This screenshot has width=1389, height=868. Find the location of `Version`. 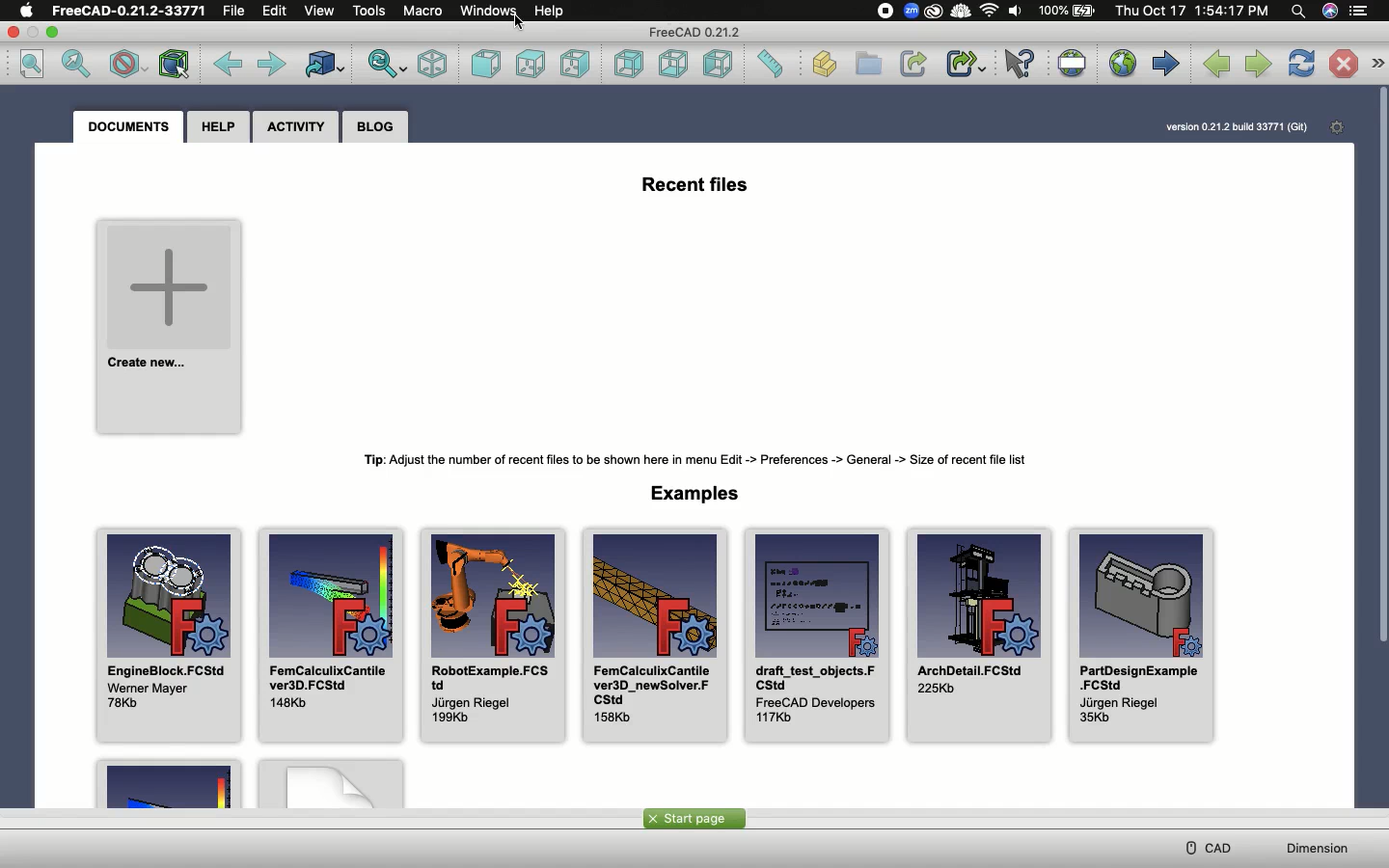

Version is located at coordinates (1239, 127).